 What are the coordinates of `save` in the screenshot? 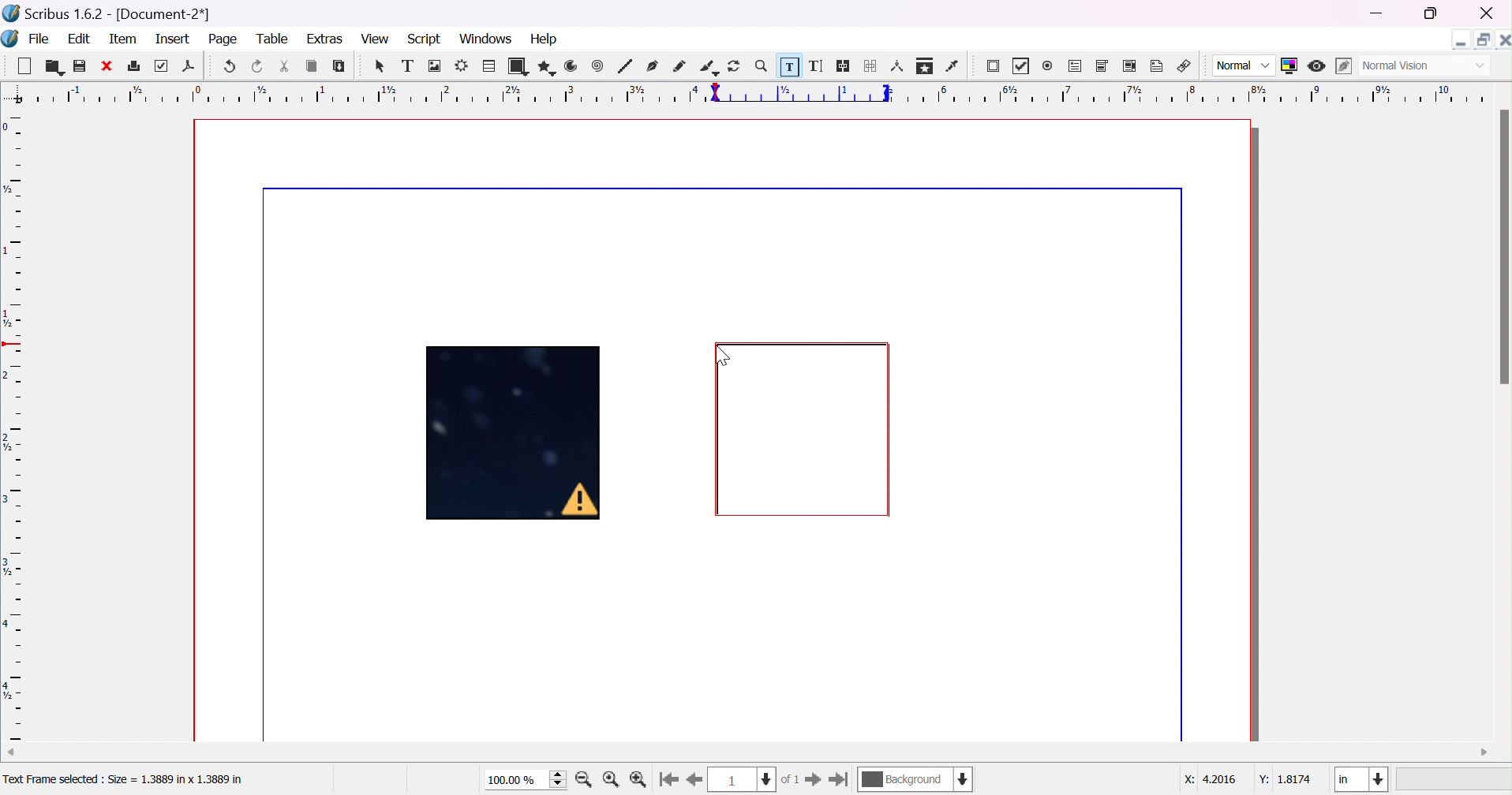 It's located at (80, 66).